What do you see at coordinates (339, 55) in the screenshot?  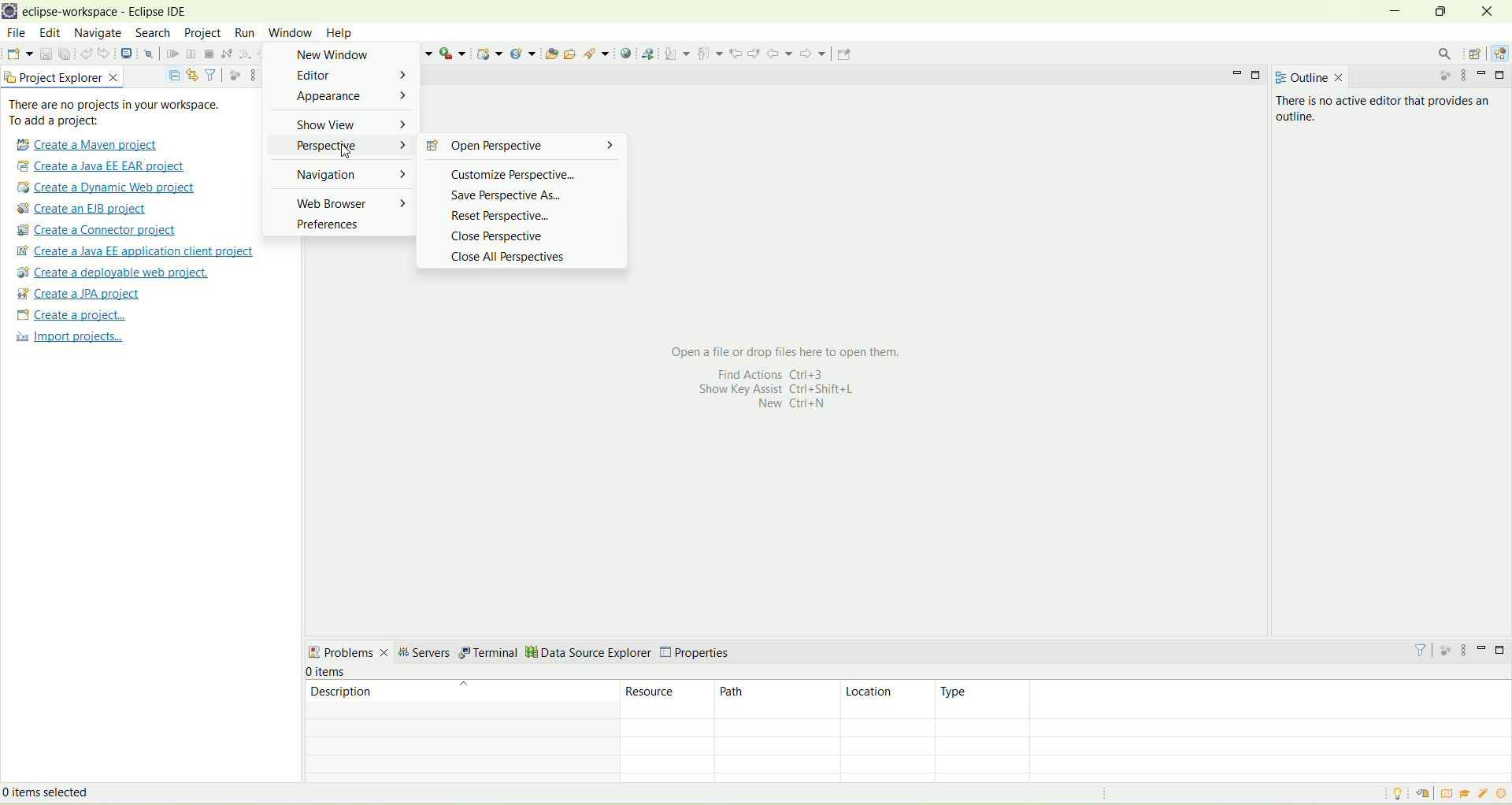 I see `new window` at bounding box center [339, 55].